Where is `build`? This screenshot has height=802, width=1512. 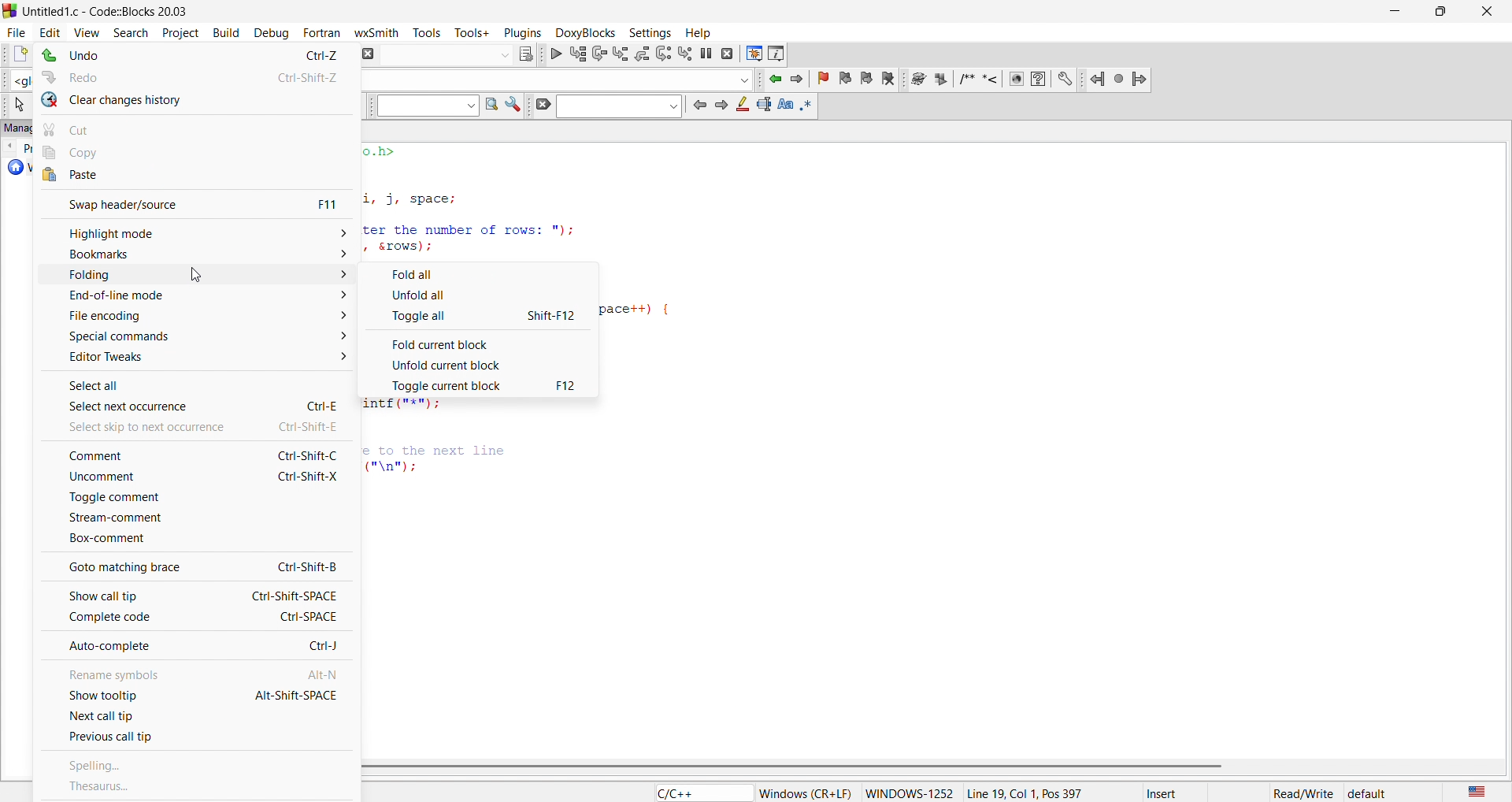 build is located at coordinates (224, 31).